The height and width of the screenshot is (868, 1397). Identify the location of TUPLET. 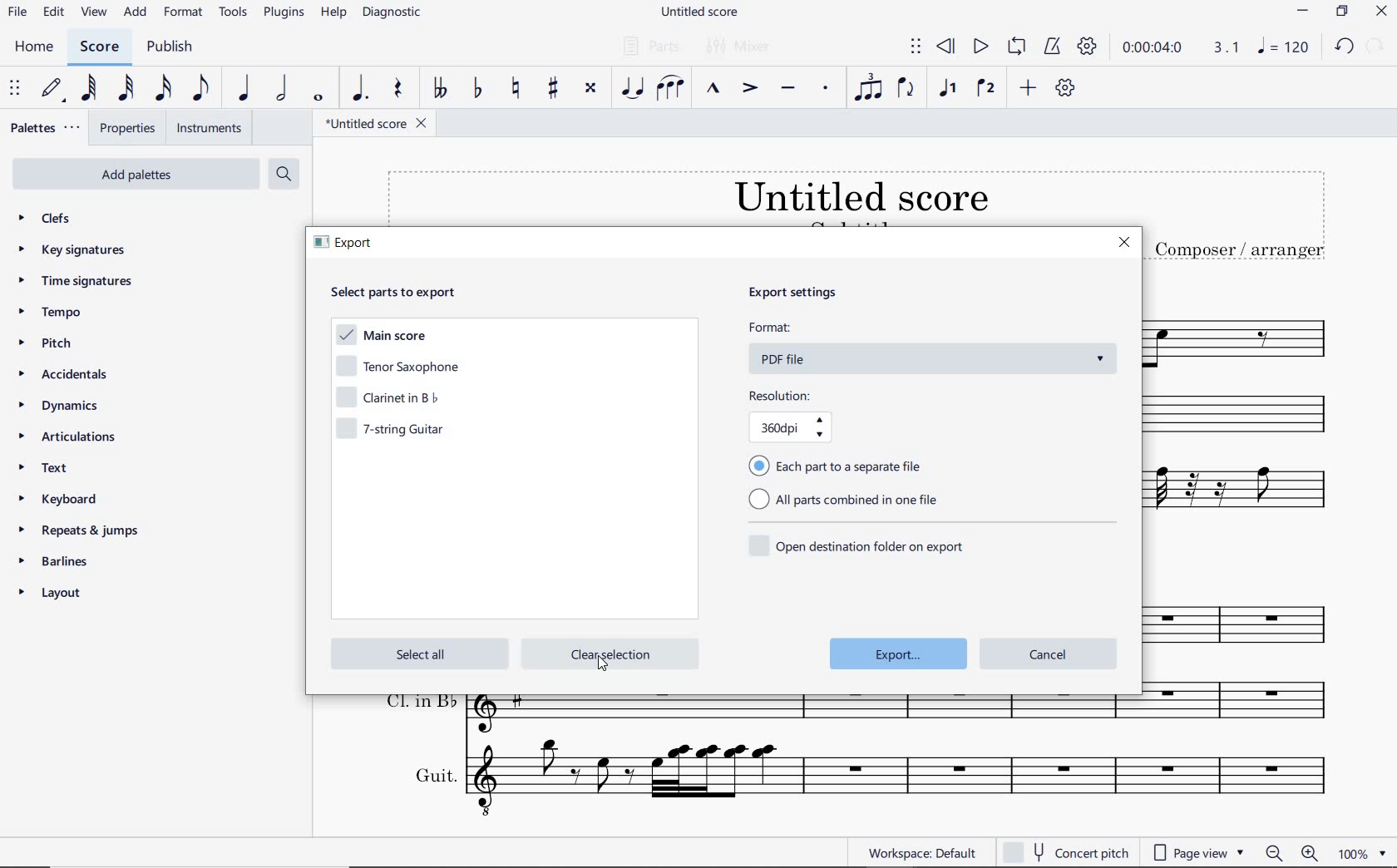
(869, 87).